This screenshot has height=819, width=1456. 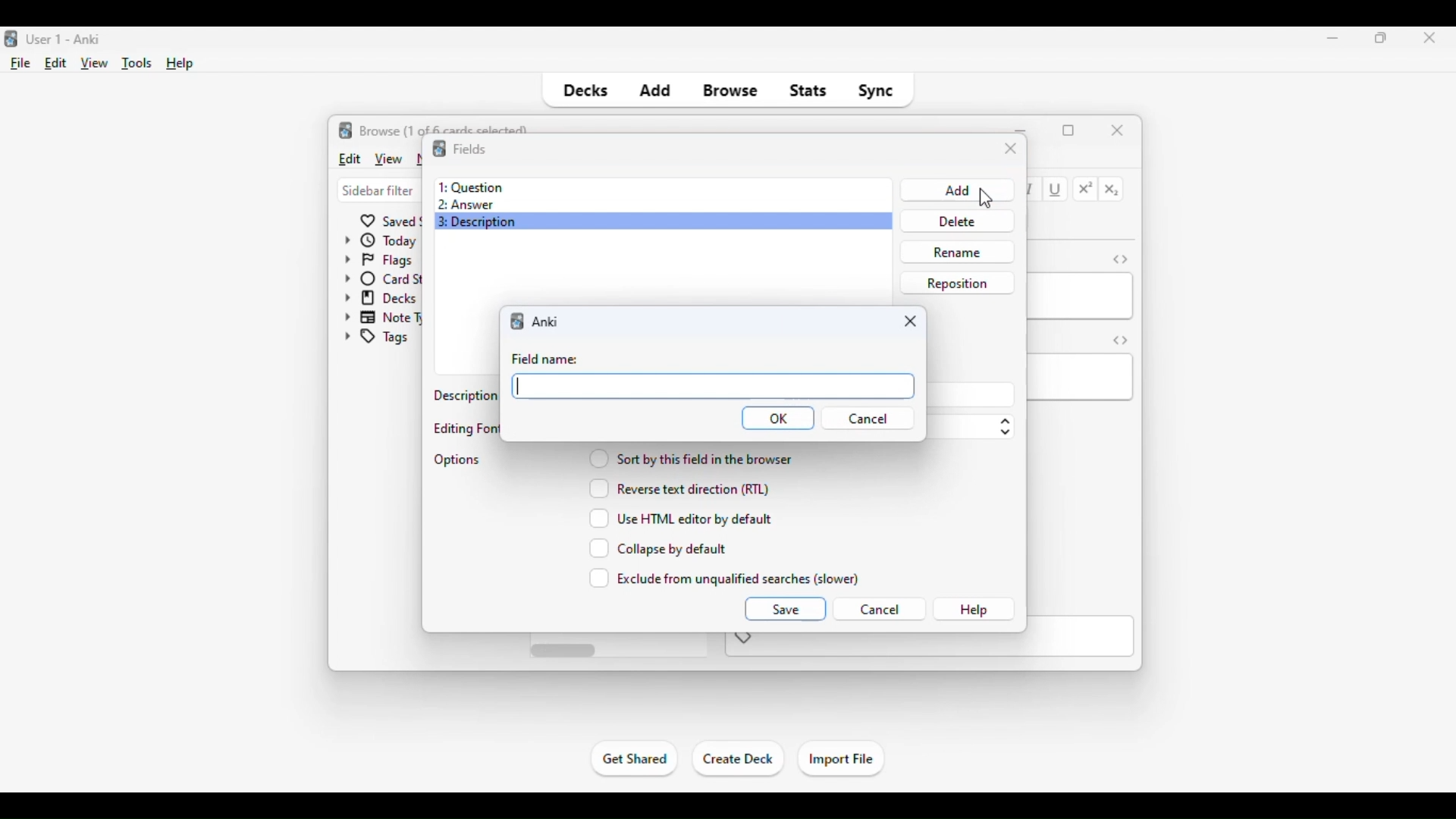 What do you see at coordinates (635, 758) in the screenshot?
I see `get shared` at bounding box center [635, 758].